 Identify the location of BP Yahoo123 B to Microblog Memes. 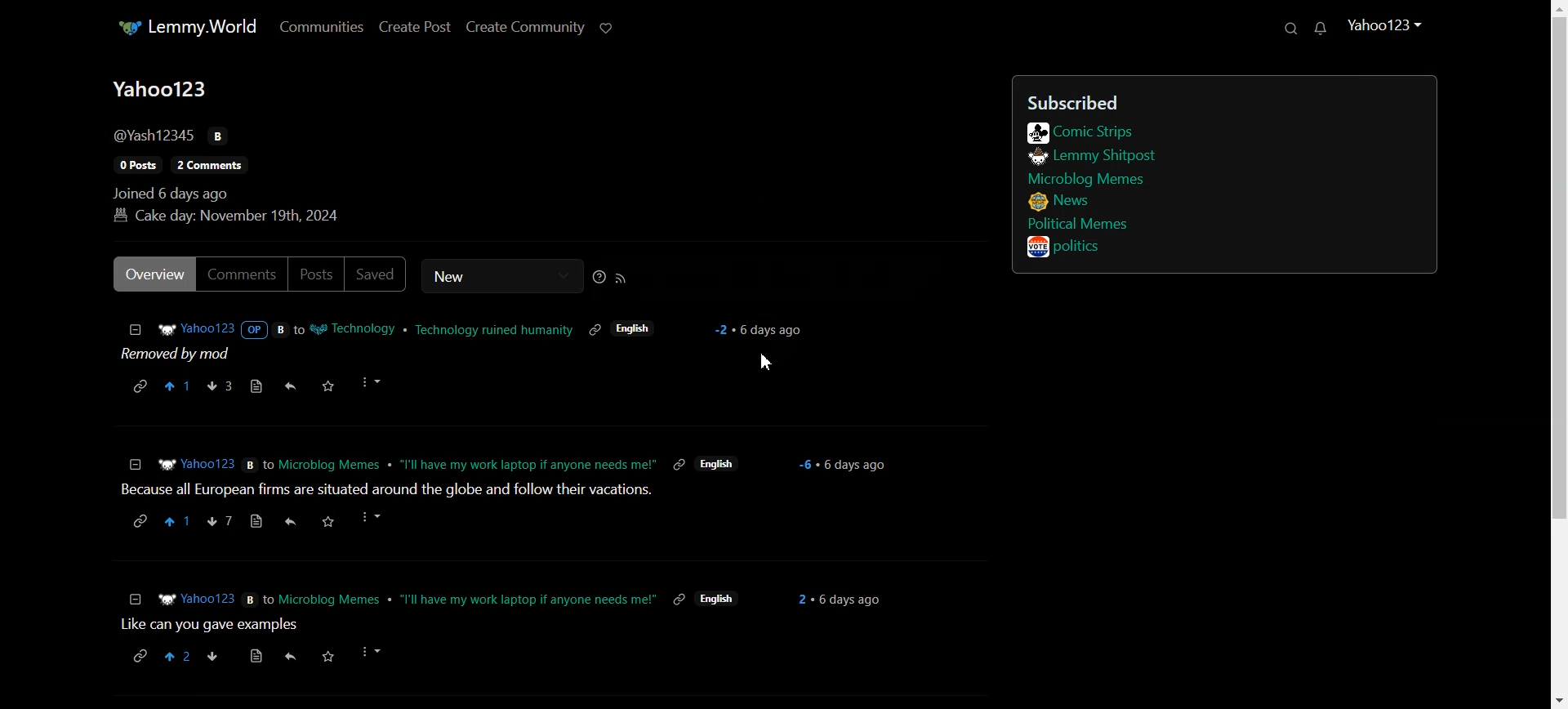
(268, 600).